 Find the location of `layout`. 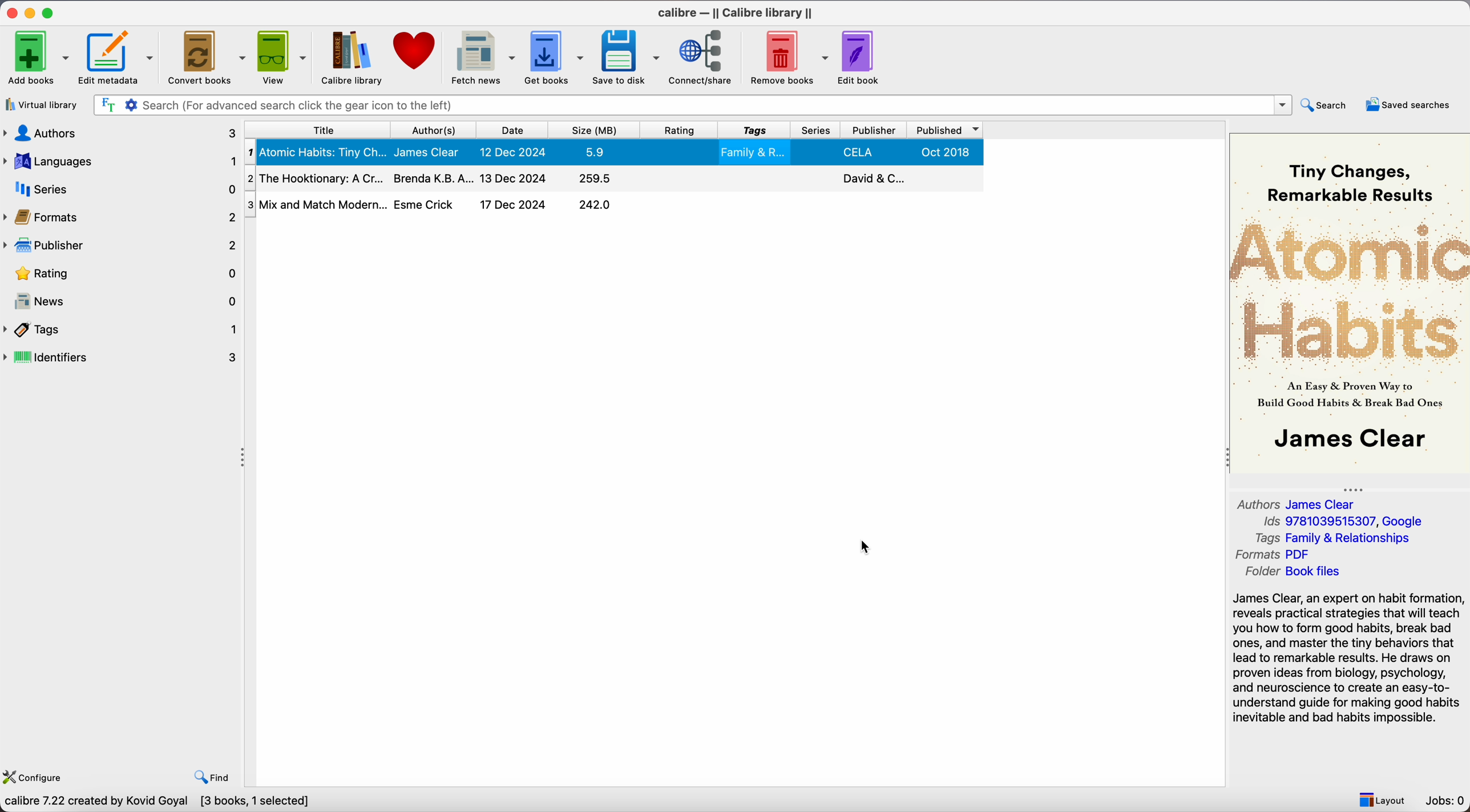

layout is located at coordinates (1383, 799).